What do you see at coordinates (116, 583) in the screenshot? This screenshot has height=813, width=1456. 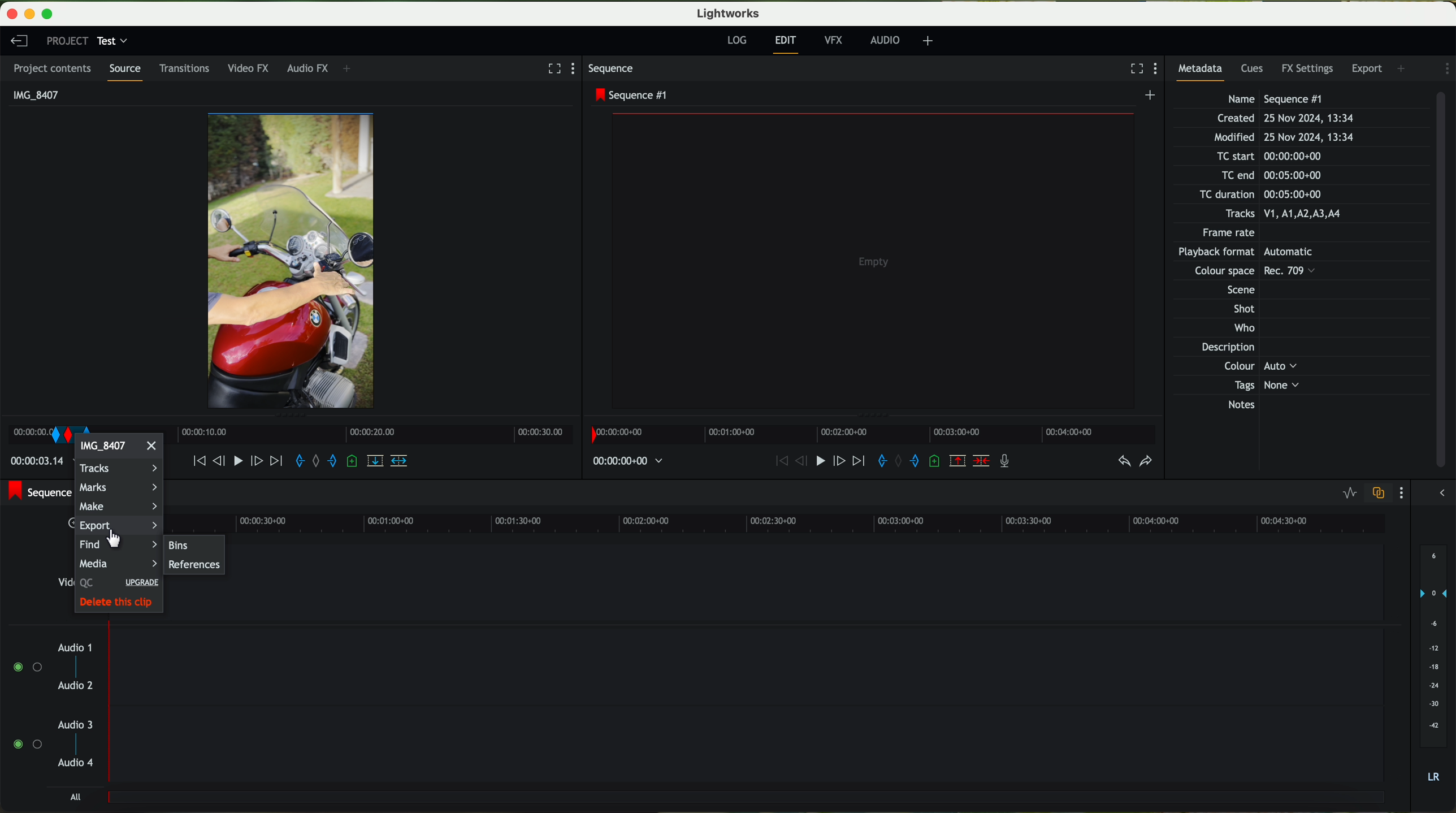 I see `upgrade QC` at bounding box center [116, 583].